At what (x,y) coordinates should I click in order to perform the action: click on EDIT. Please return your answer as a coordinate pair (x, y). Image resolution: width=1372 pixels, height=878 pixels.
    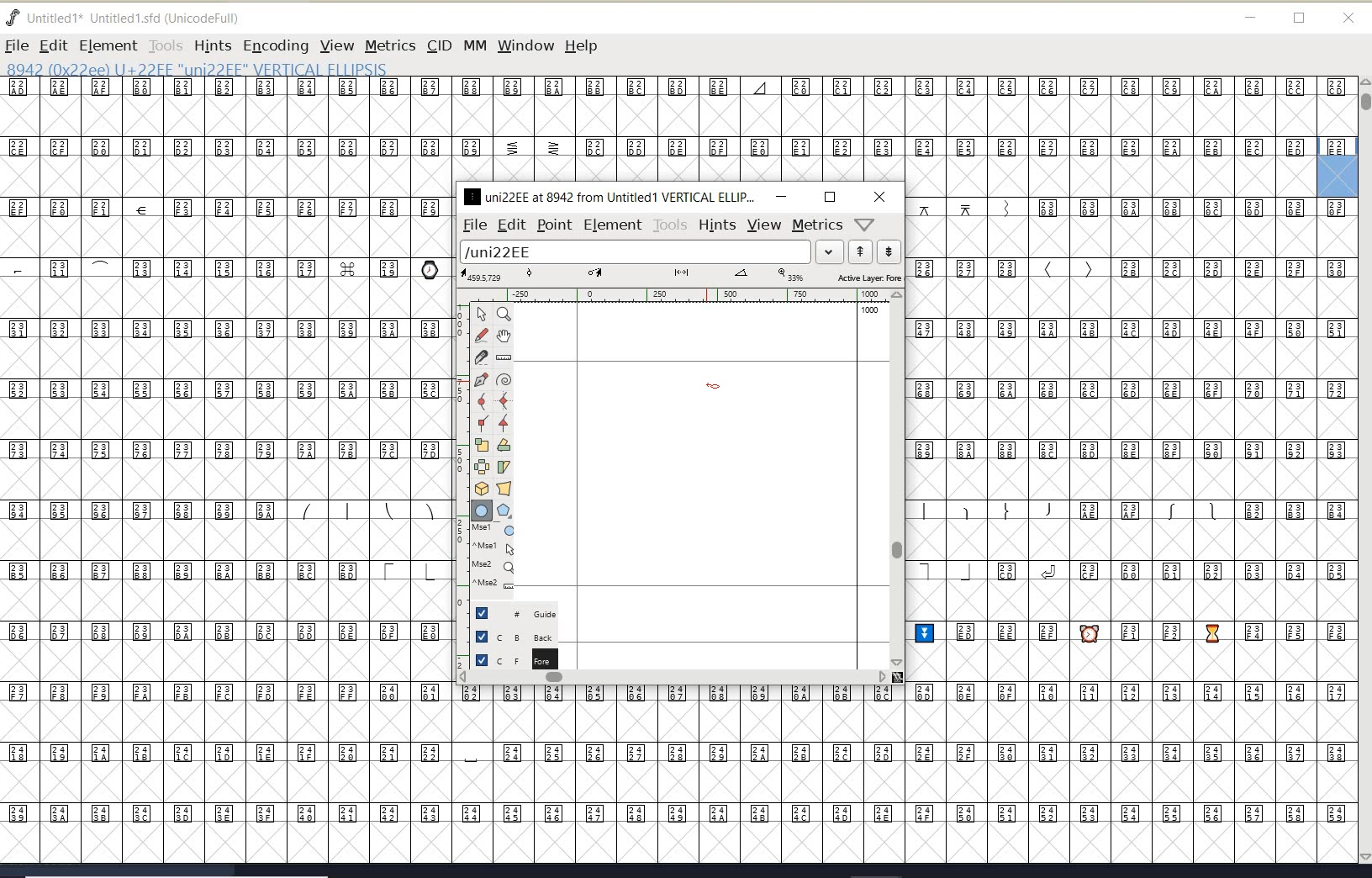
    Looking at the image, I should click on (53, 45).